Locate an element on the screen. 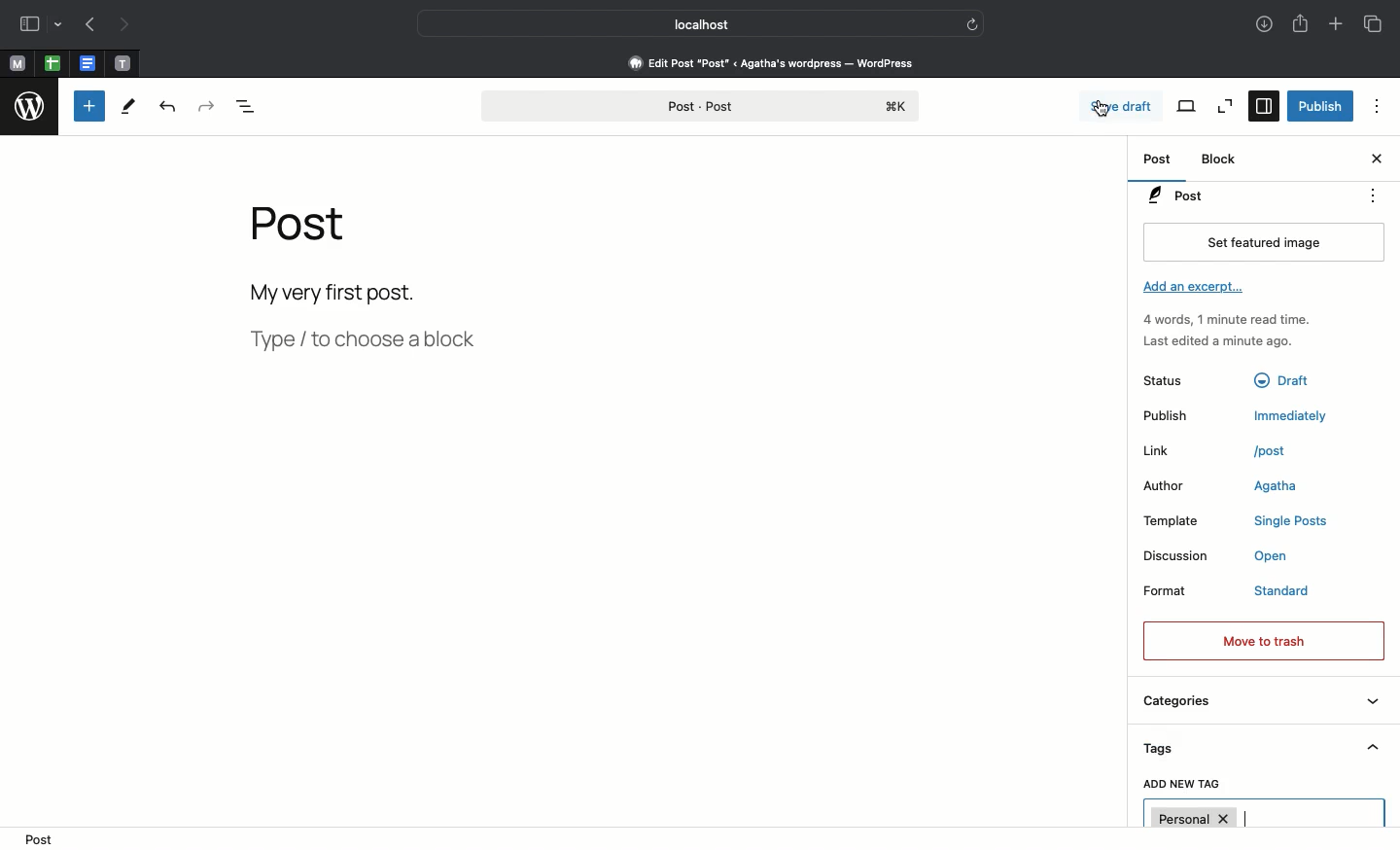 The height and width of the screenshot is (850, 1400). Pinned tabs is located at coordinates (88, 63).